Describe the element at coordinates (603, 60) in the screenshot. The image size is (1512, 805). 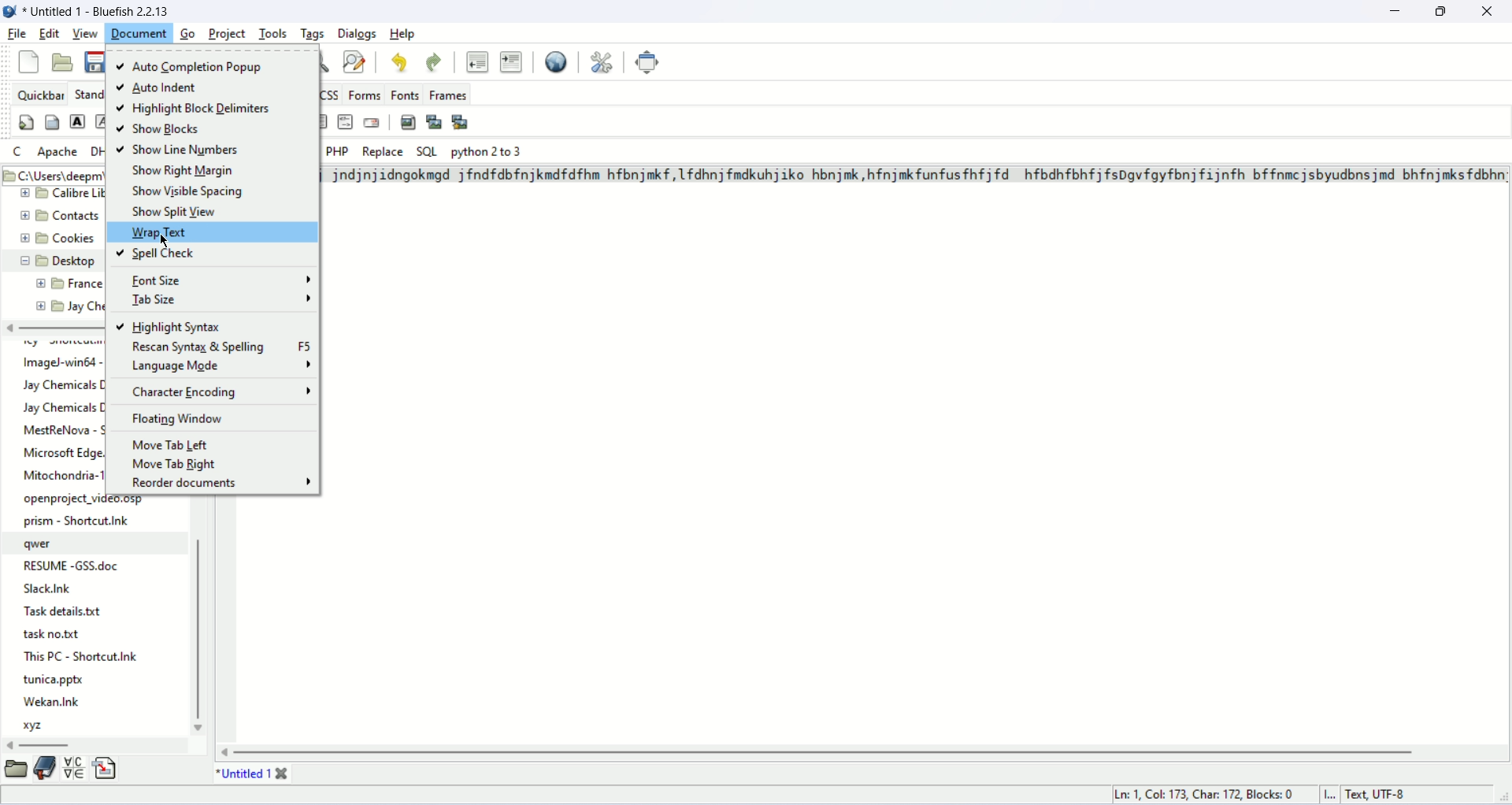
I see `edit preferences` at that location.